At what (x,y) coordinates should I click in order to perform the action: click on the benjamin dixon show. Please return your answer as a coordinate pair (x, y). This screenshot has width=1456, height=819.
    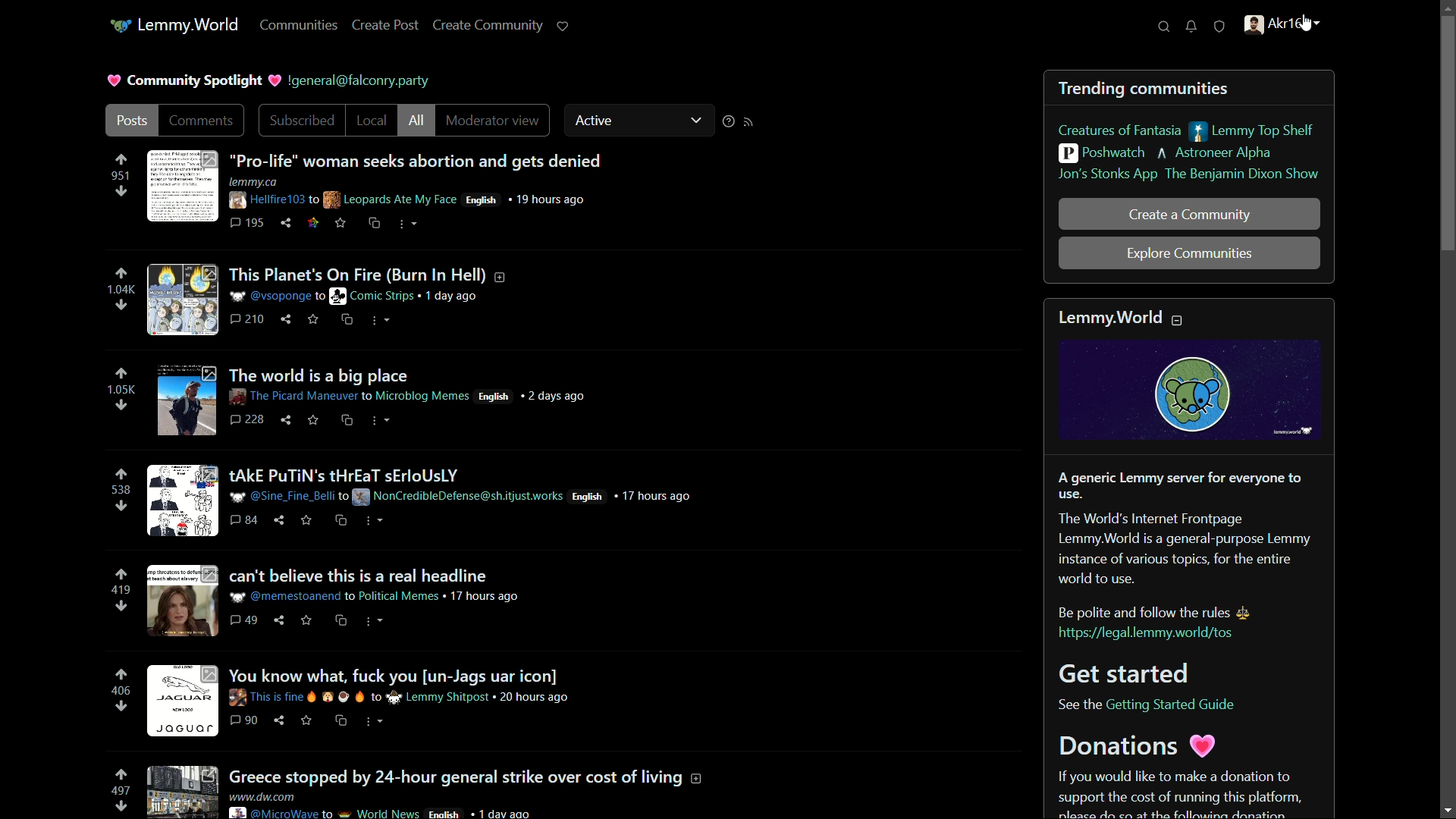
    Looking at the image, I should click on (1241, 174).